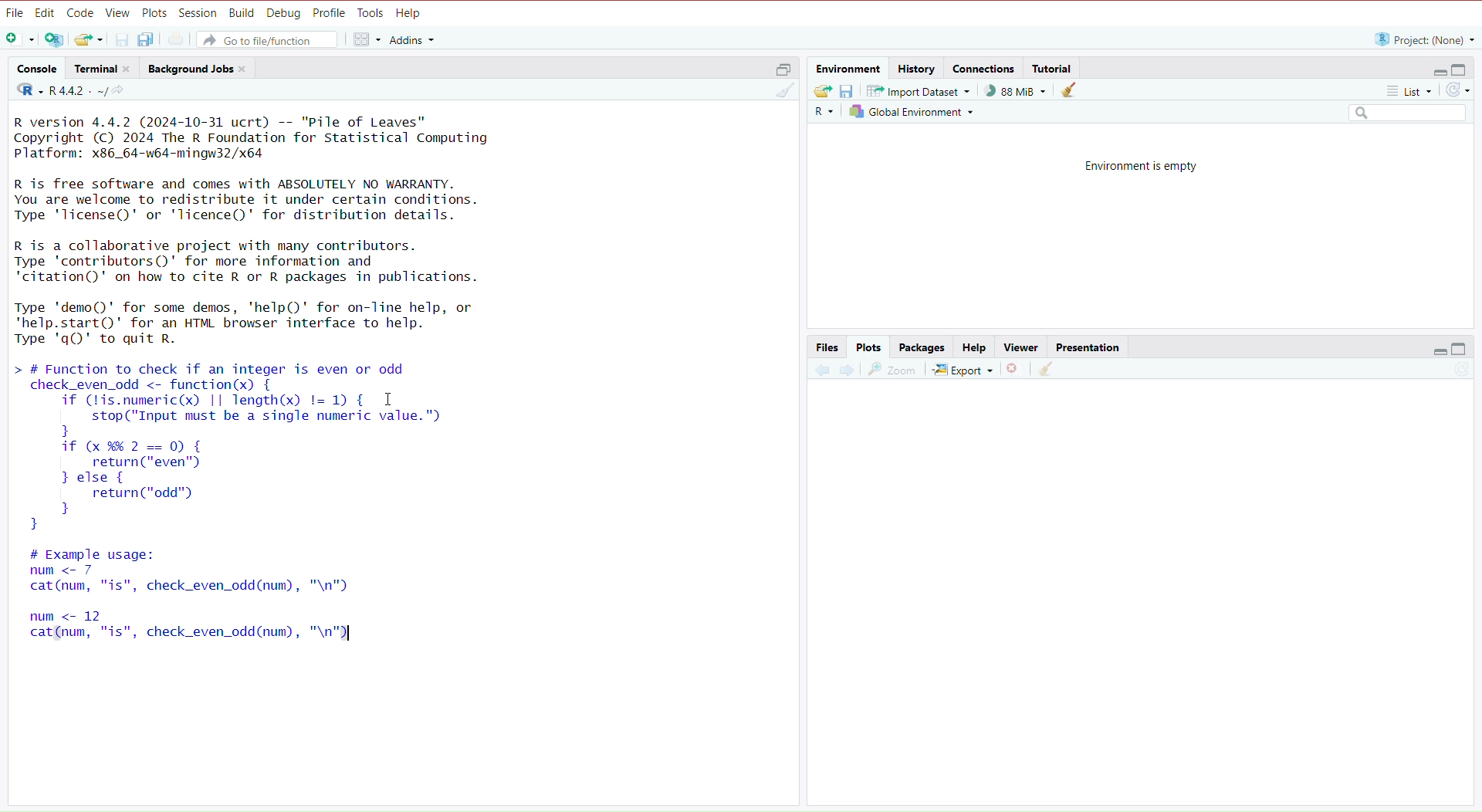 The image size is (1482, 812). What do you see at coordinates (893, 371) in the screenshot?
I see `zoom` at bounding box center [893, 371].